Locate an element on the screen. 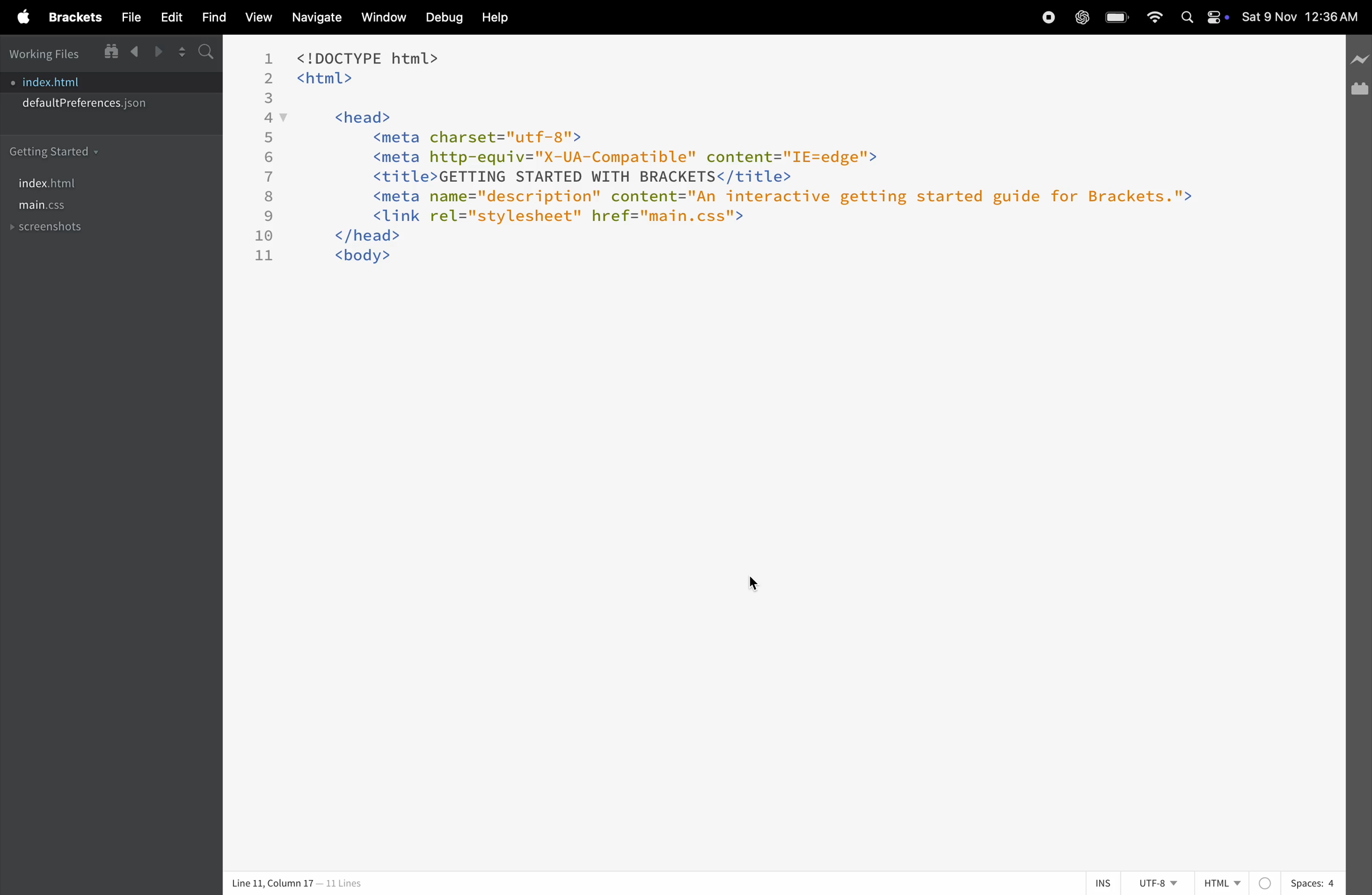 The image size is (1372, 895). time and date is located at coordinates (1303, 16).